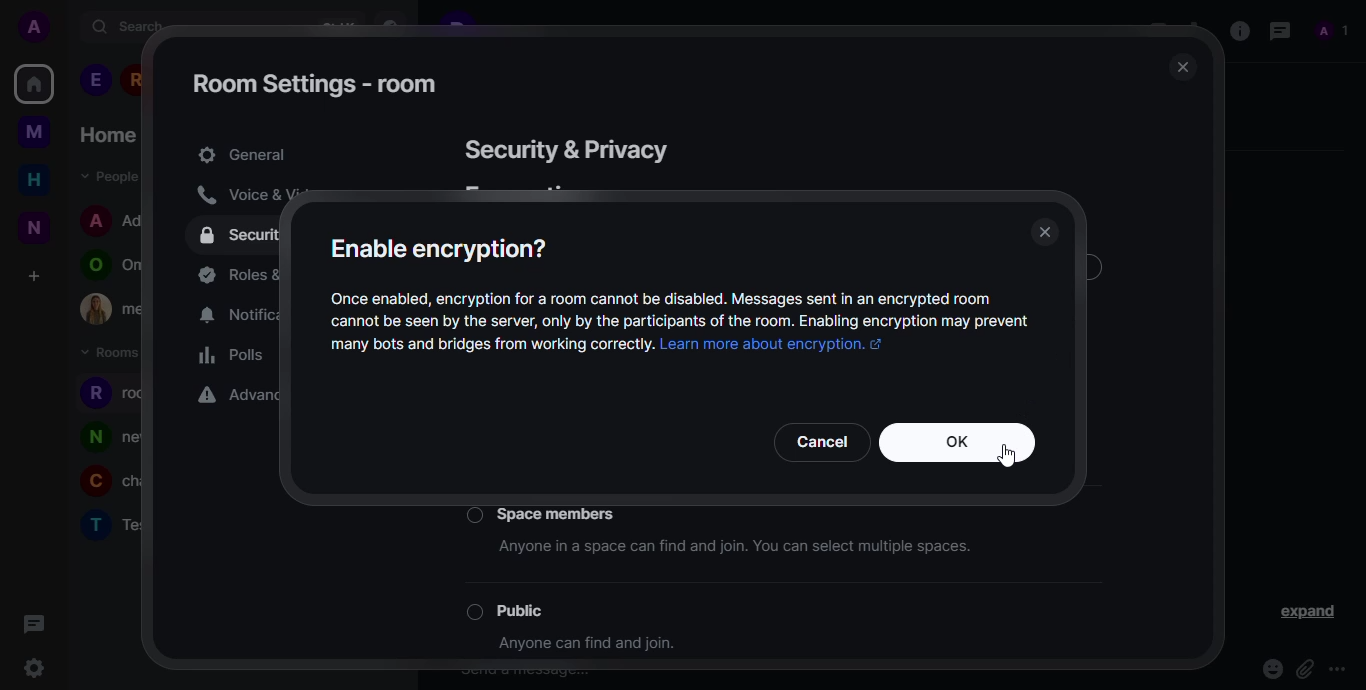  I want to click on ok, so click(959, 442).